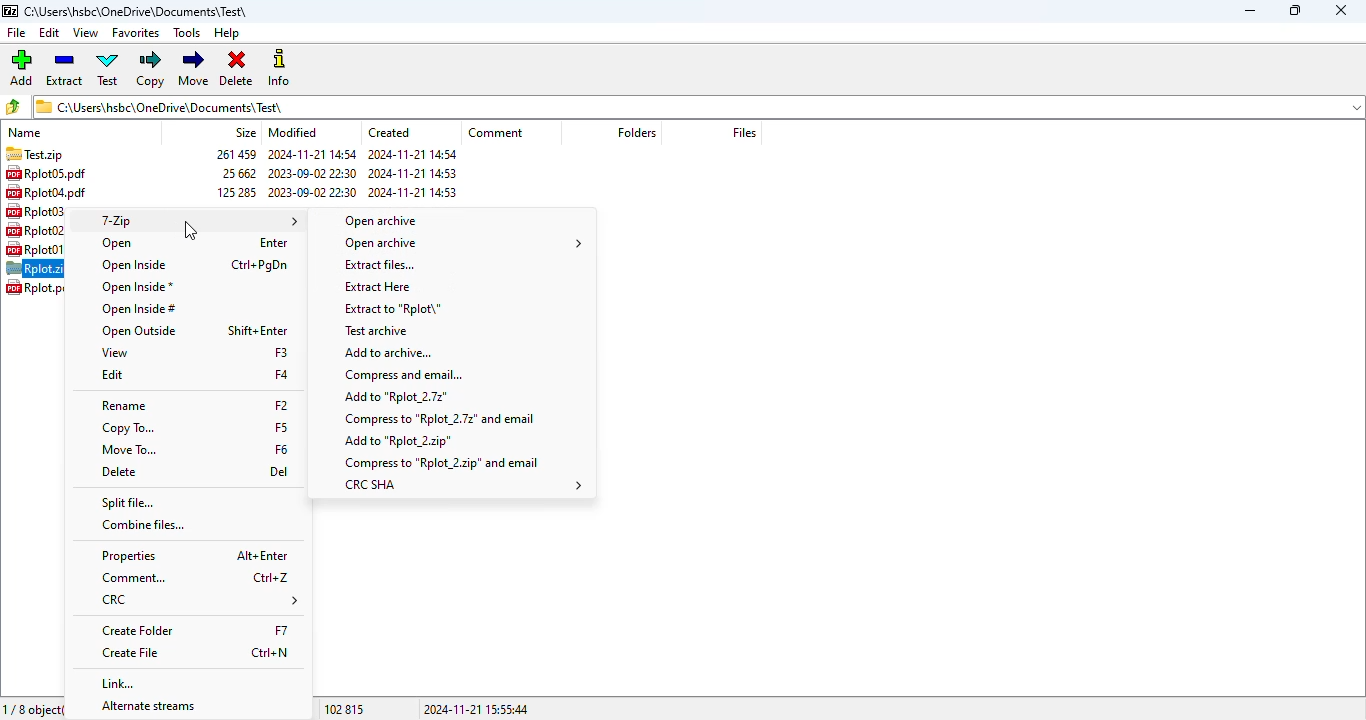 The width and height of the screenshot is (1366, 720). Describe the element at coordinates (1343, 10) in the screenshot. I see `close` at that location.